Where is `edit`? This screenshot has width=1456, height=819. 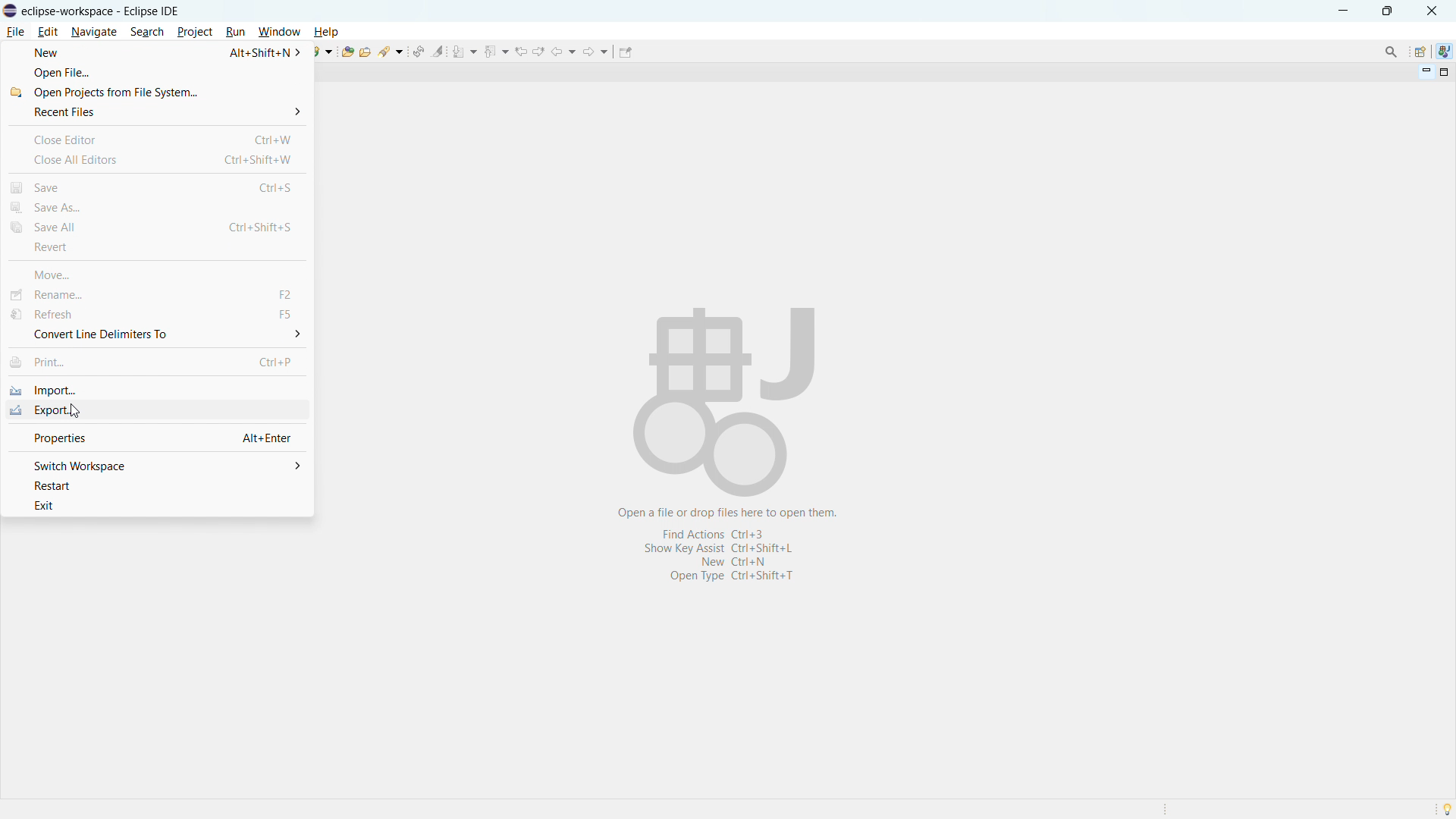
edit is located at coordinates (48, 32).